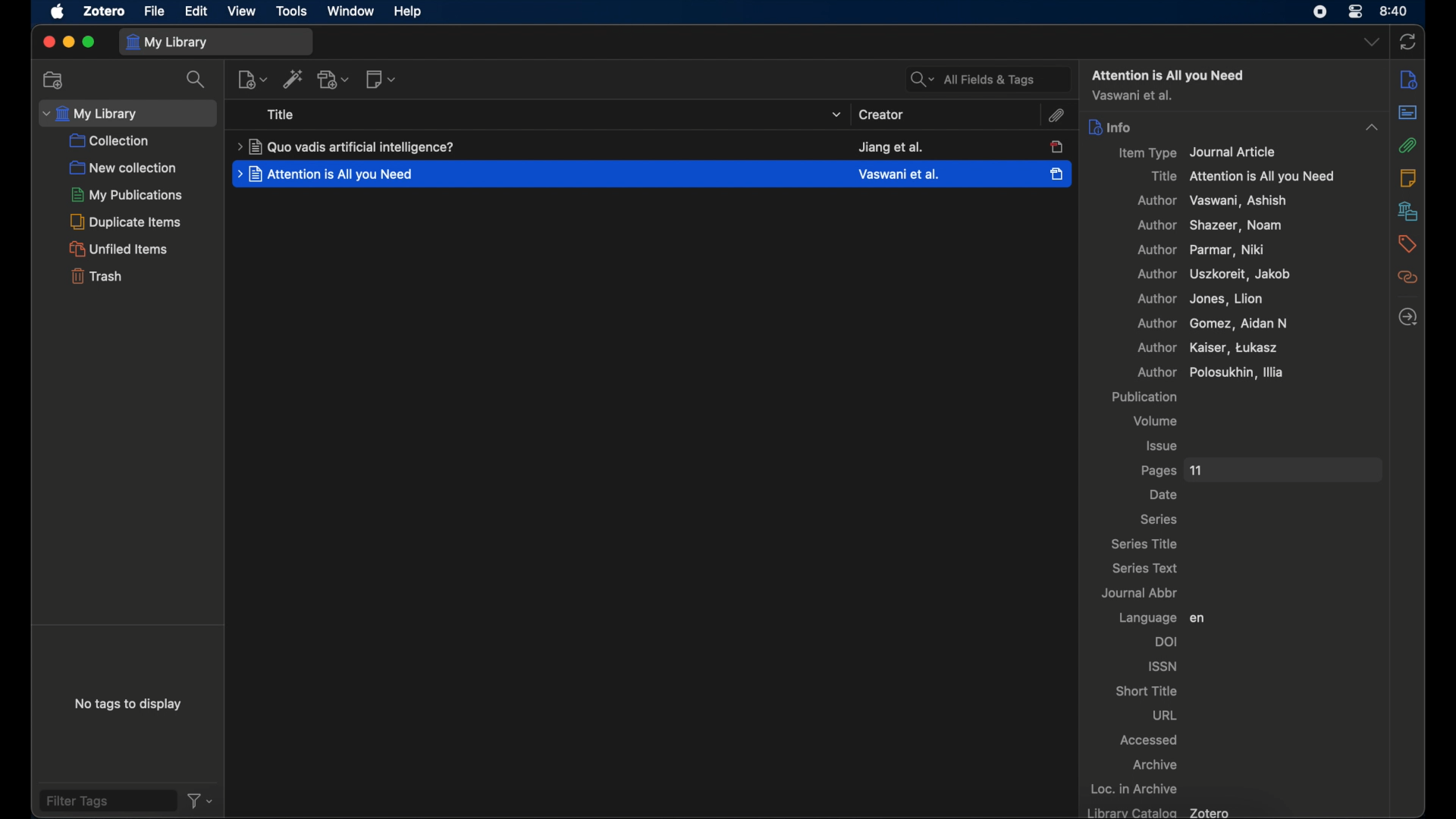 The width and height of the screenshot is (1456, 819). I want to click on edit, so click(196, 13).